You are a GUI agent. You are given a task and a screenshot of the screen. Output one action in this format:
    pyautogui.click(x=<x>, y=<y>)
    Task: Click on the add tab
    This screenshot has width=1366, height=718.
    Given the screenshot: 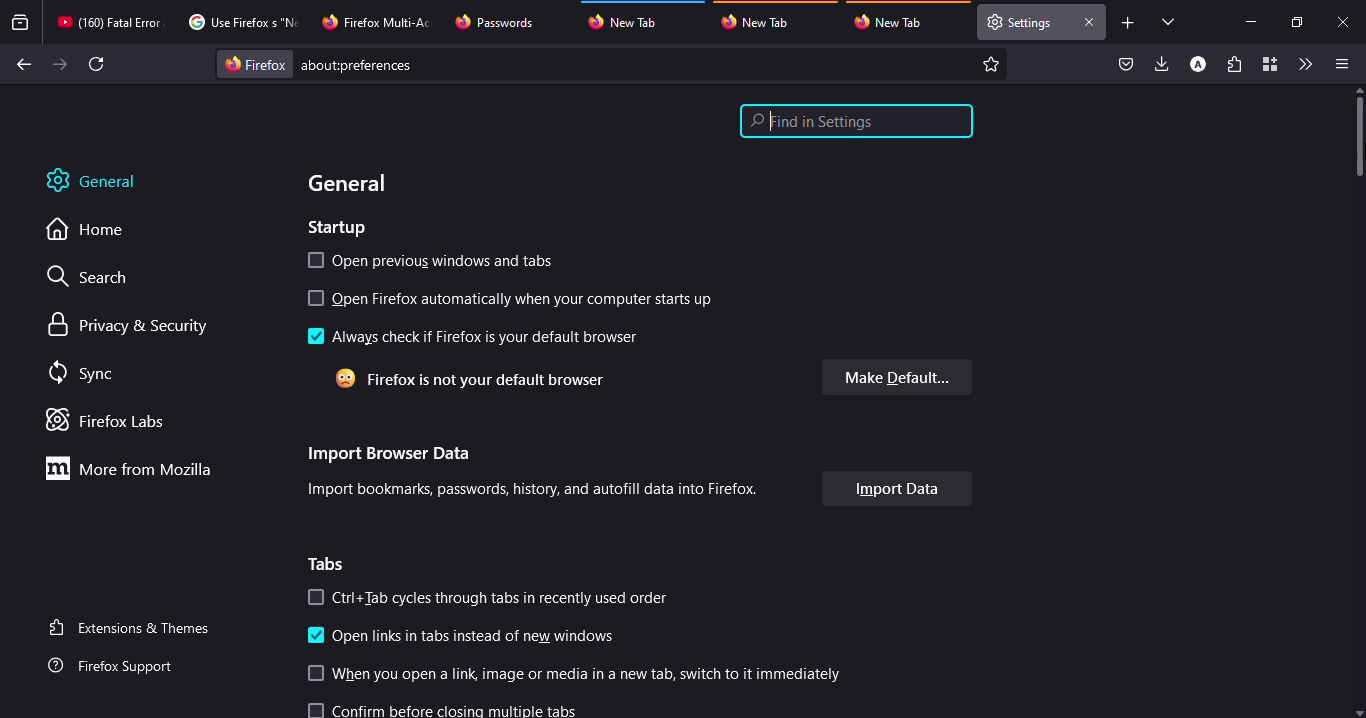 What is the action you would take?
    pyautogui.click(x=1128, y=23)
    